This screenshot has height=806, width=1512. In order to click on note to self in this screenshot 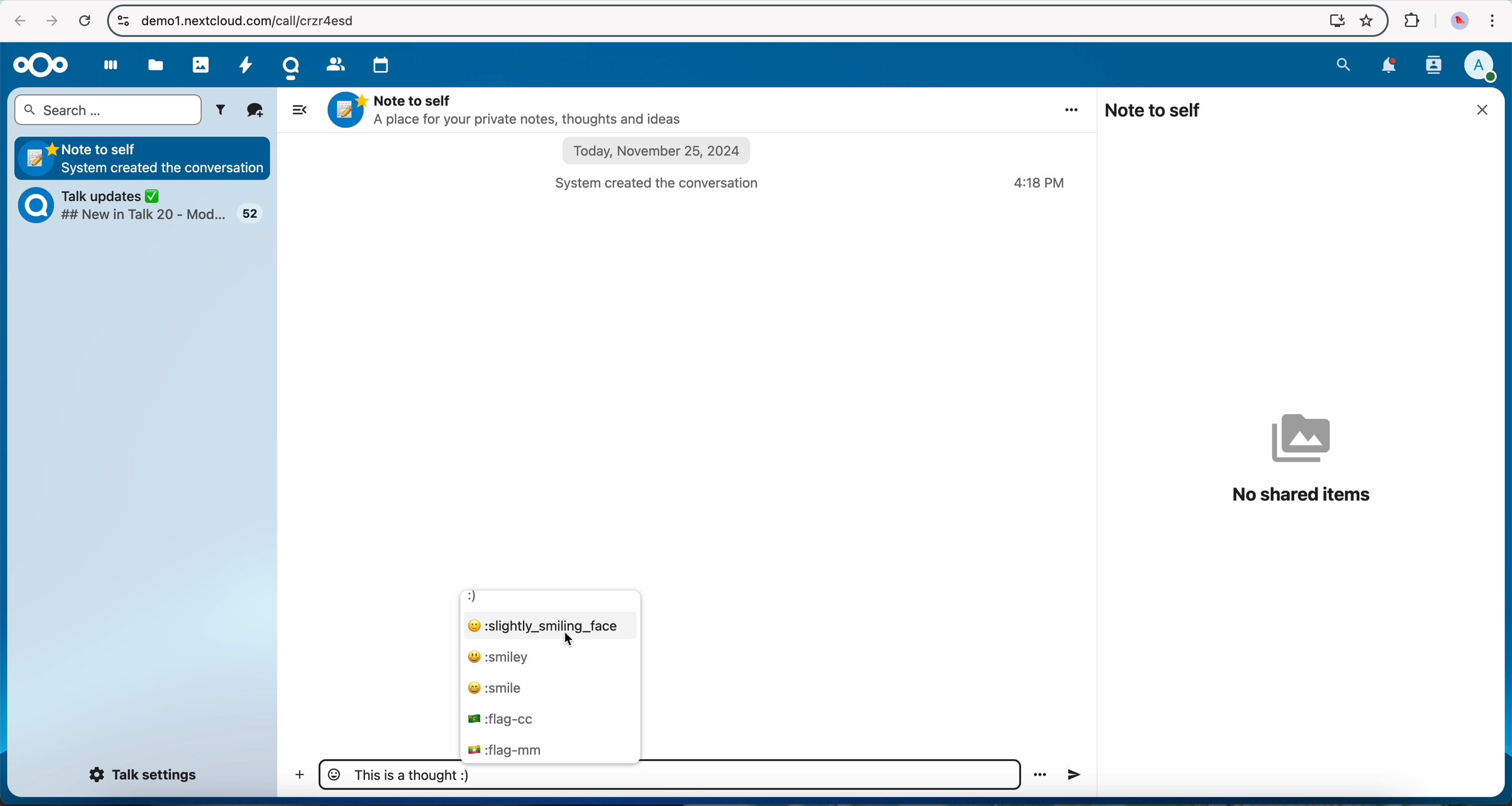, I will do `click(1155, 110)`.